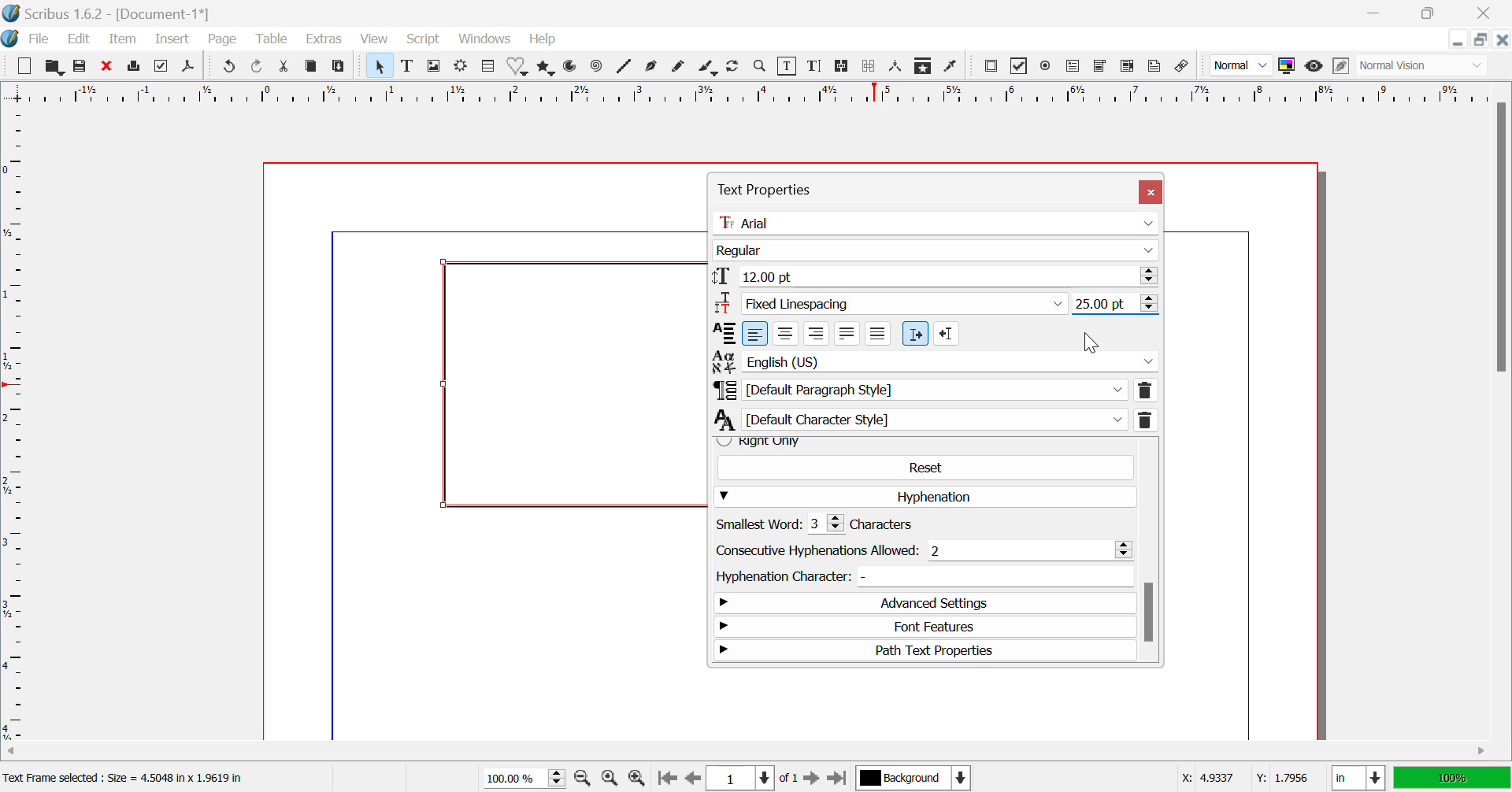 This screenshot has width=1512, height=792. What do you see at coordinates (1451, 778) in the screenshot?
I see `Display Appearance` at bounding box center [1451, 778].